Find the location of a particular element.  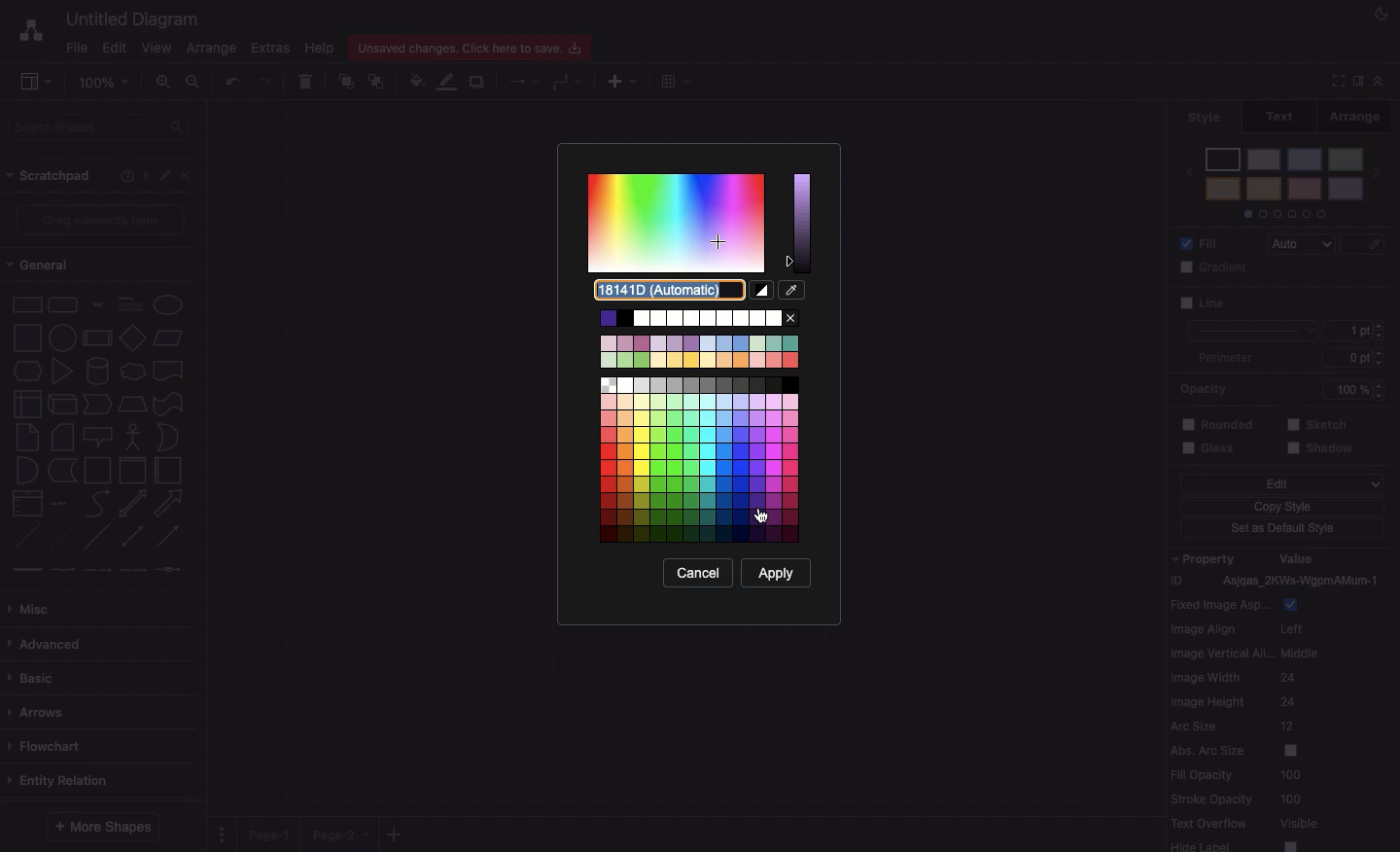

callout is located at coordinates (96, 437).